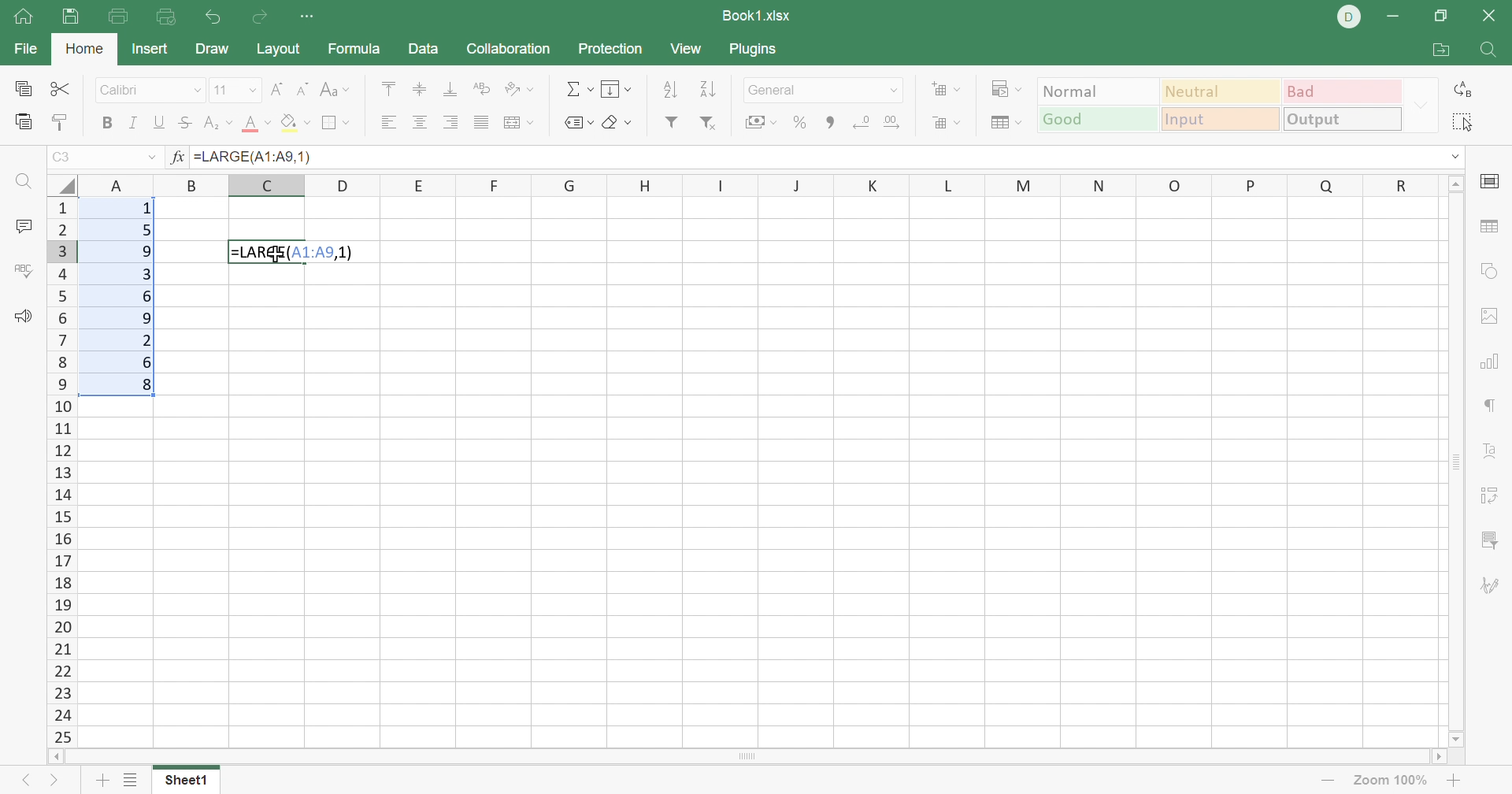 The image size is (1512, 794). Describe the element at coordinates (60, 755) in the screenshot. I see `Scroll Left` at that location.